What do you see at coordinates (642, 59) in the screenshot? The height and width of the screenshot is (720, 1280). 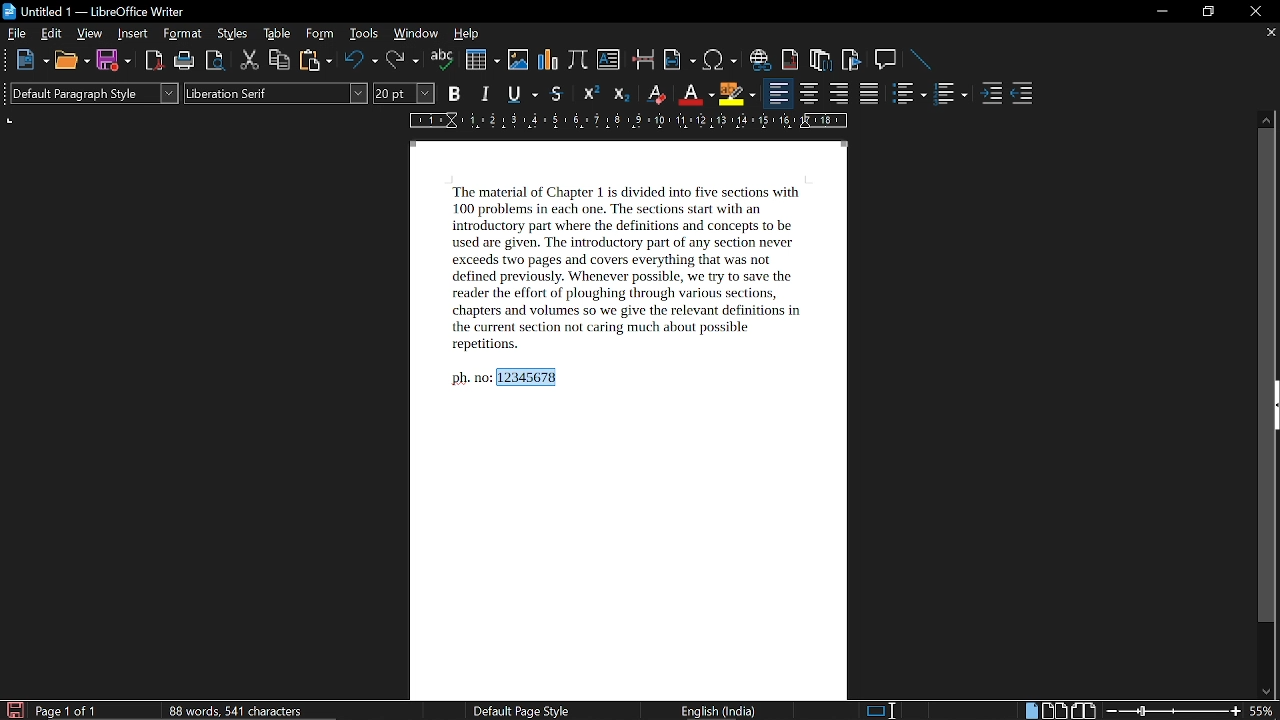 I see `insert pagebreak` at bounding box center [642, 59].